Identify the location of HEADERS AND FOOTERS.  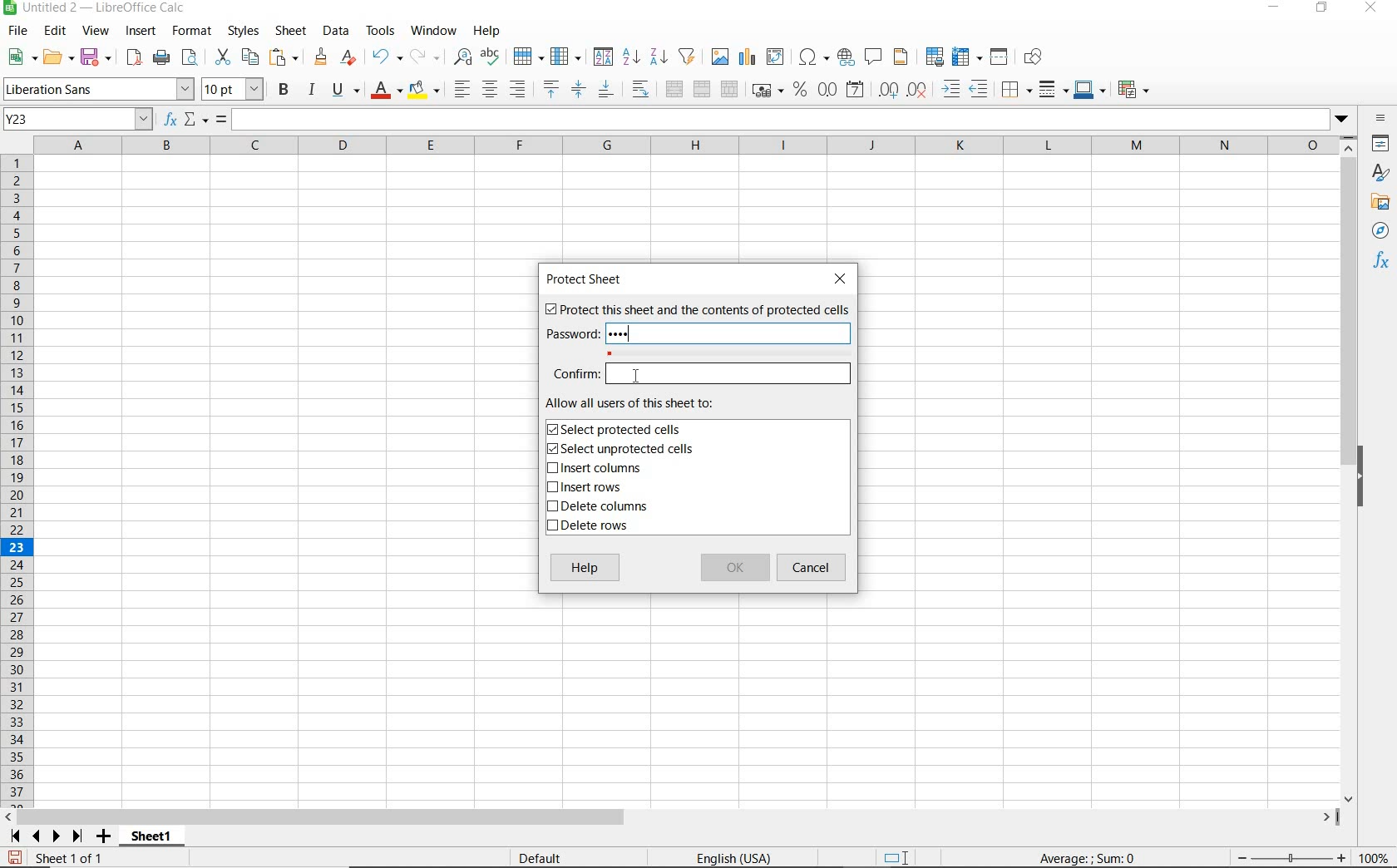
(901, 58).